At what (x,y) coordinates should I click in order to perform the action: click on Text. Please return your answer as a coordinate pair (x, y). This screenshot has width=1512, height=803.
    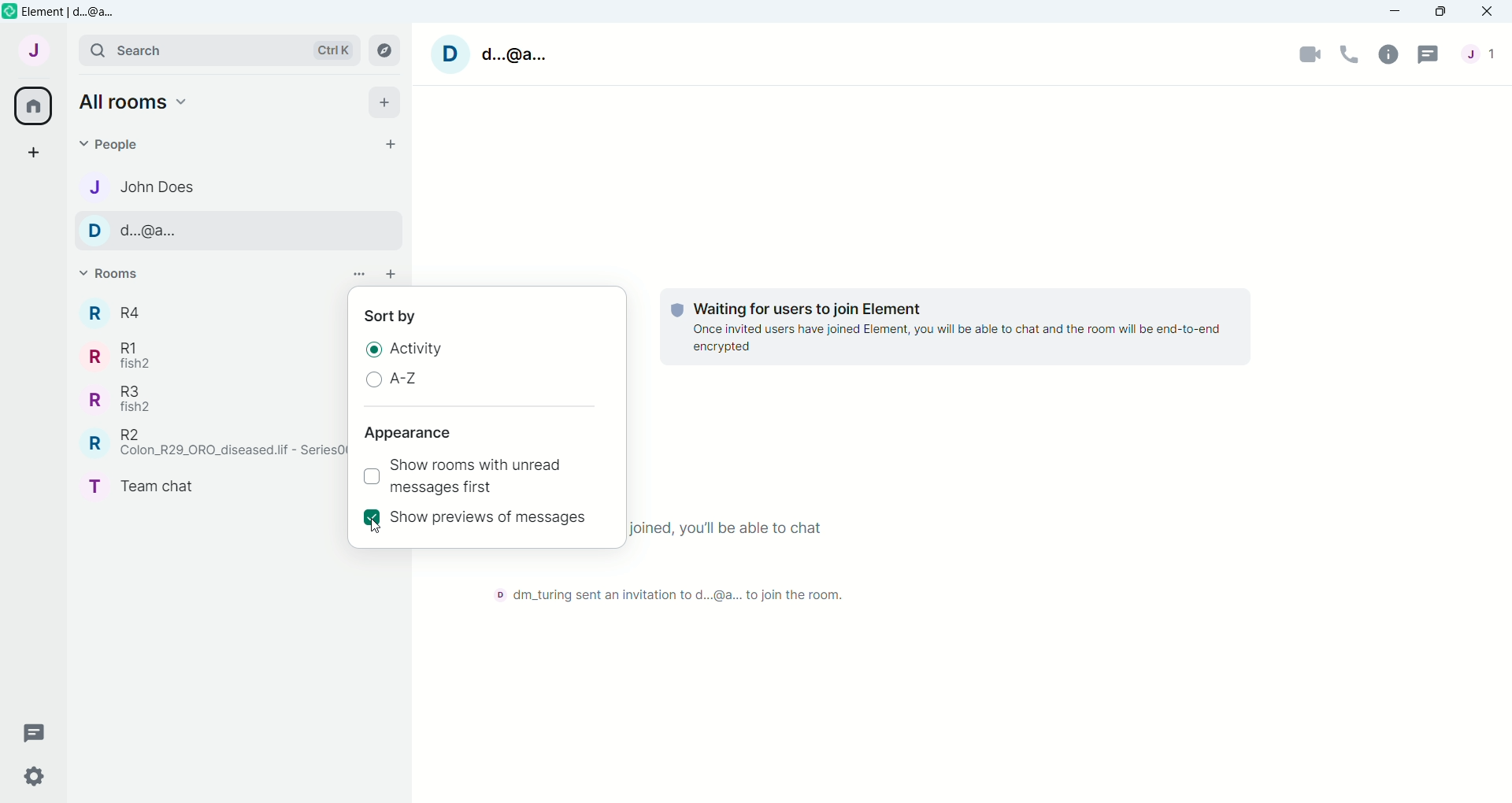
    Looking at the image, I should click on (957, 328).